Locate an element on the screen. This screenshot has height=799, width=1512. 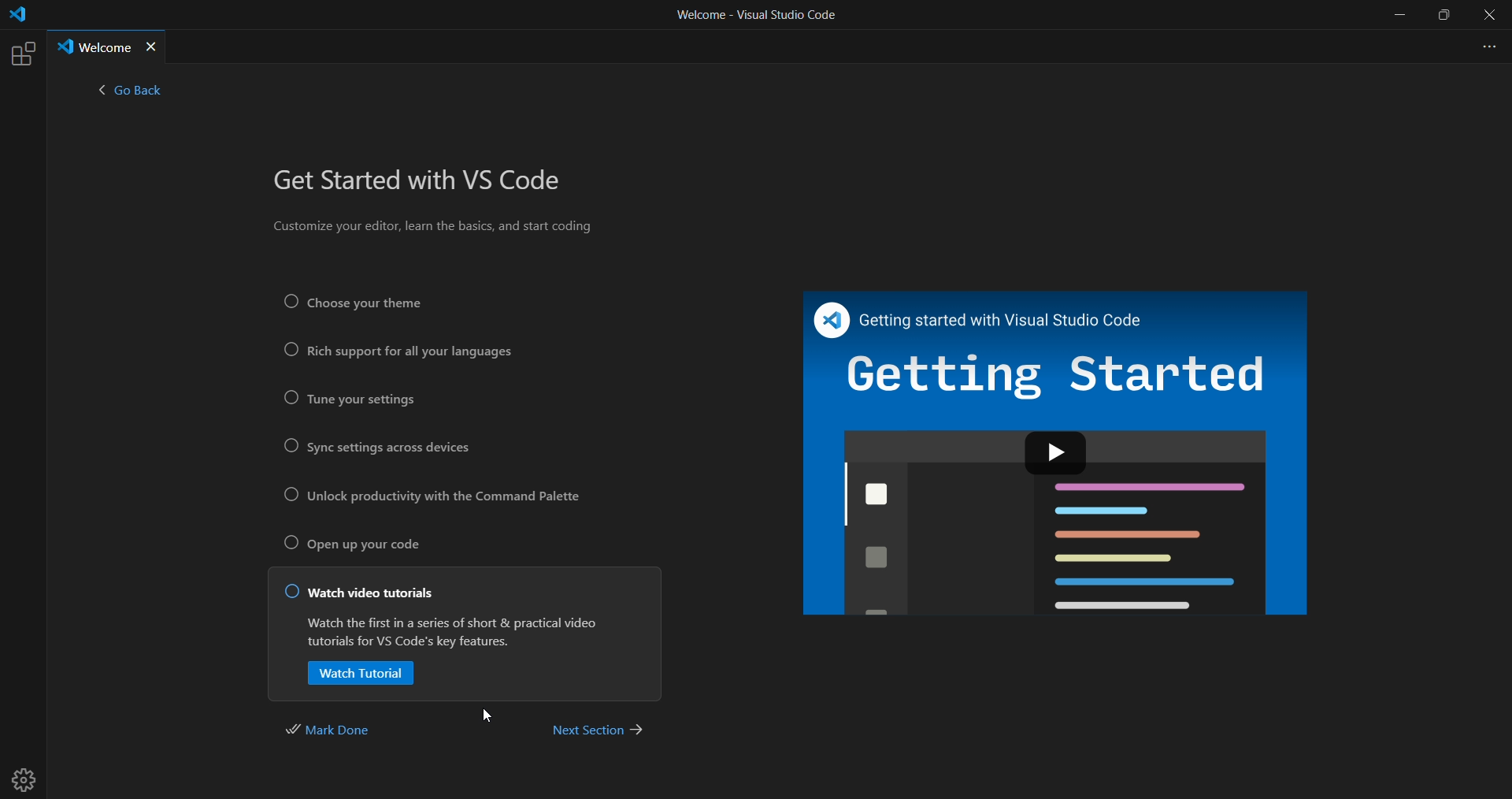
next section is located at coordinates (597, 729).